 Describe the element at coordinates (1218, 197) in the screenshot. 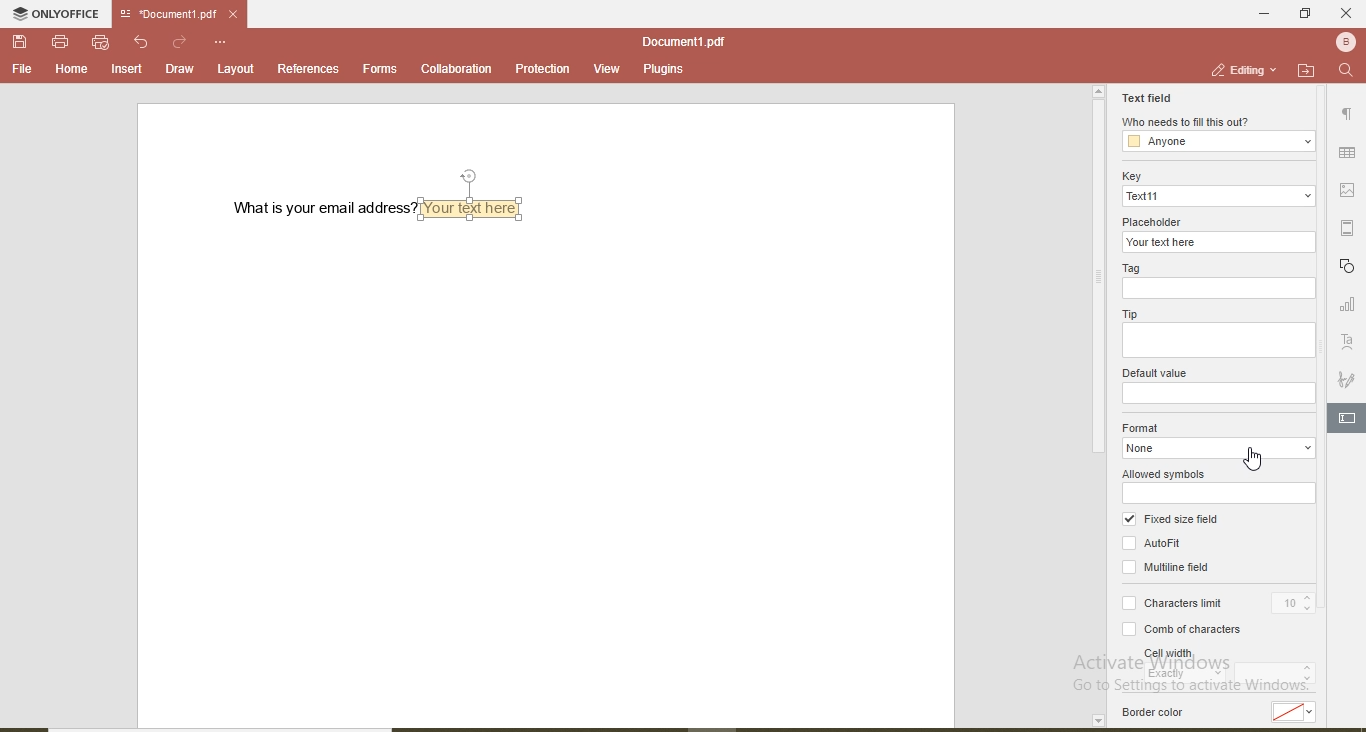

I see `text11` at that location.